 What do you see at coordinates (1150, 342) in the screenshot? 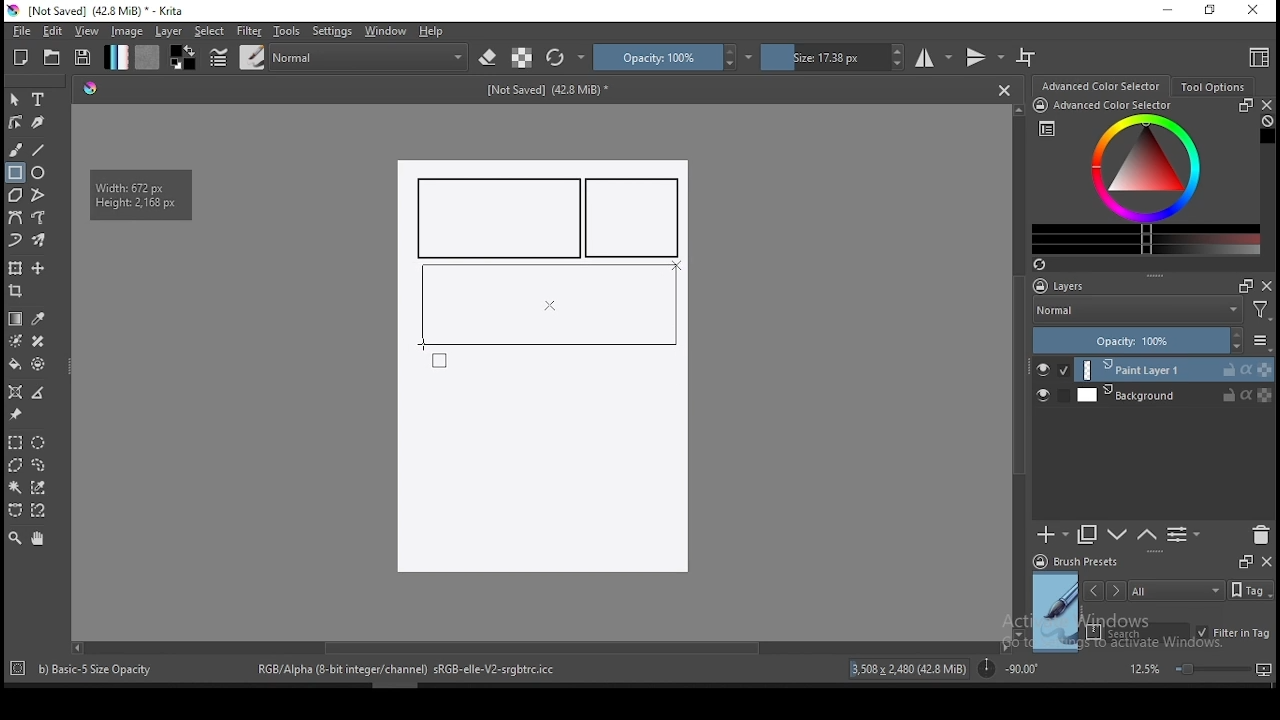
I see `opacity` at bounding box center [1150, 342].